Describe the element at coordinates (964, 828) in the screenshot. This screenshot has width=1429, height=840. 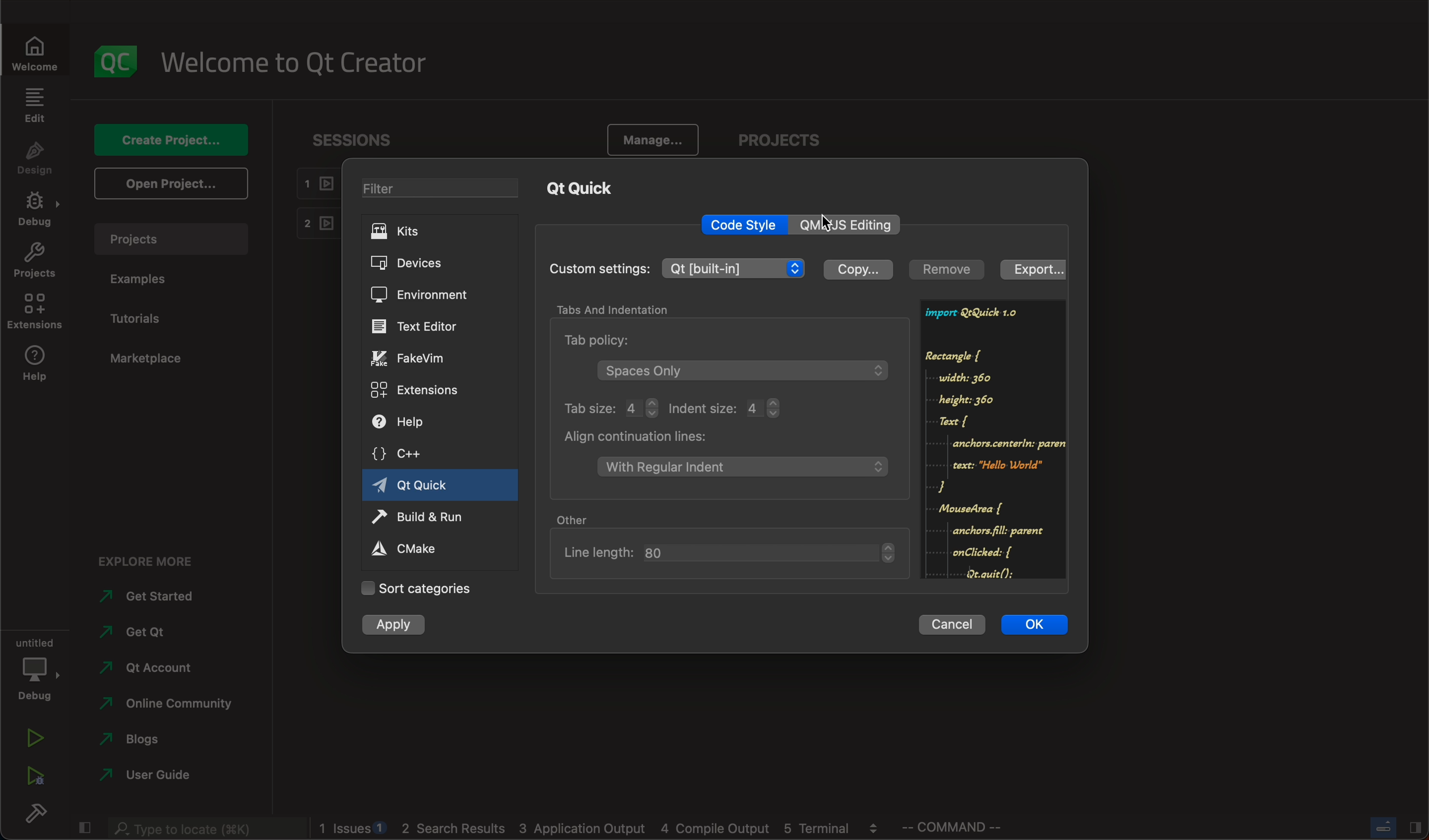
I see `command` at that location.